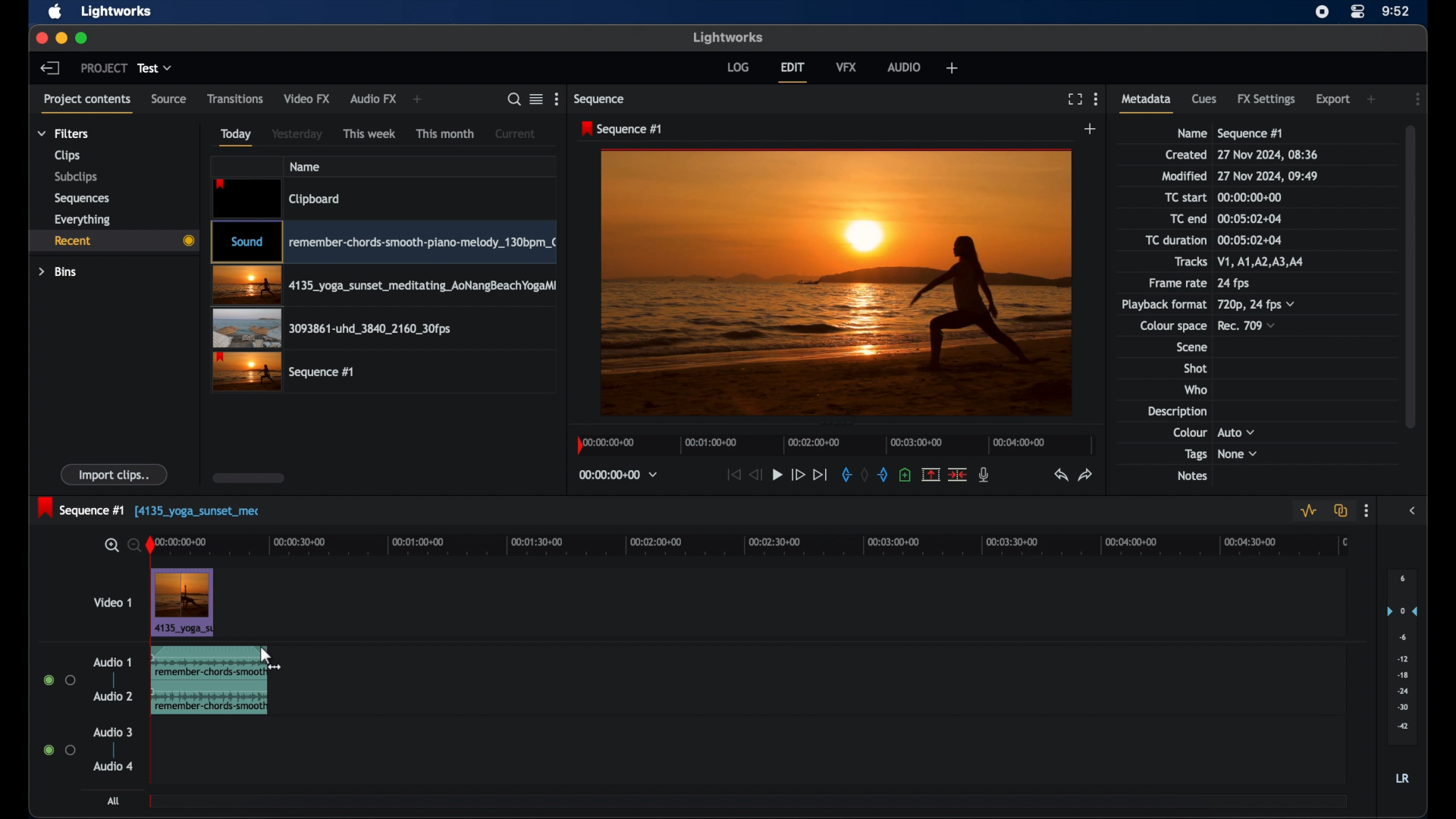  What do you see at coordinates (1186, 155) in the screenshot?
I see `created` at bounding box center [1186, 155].